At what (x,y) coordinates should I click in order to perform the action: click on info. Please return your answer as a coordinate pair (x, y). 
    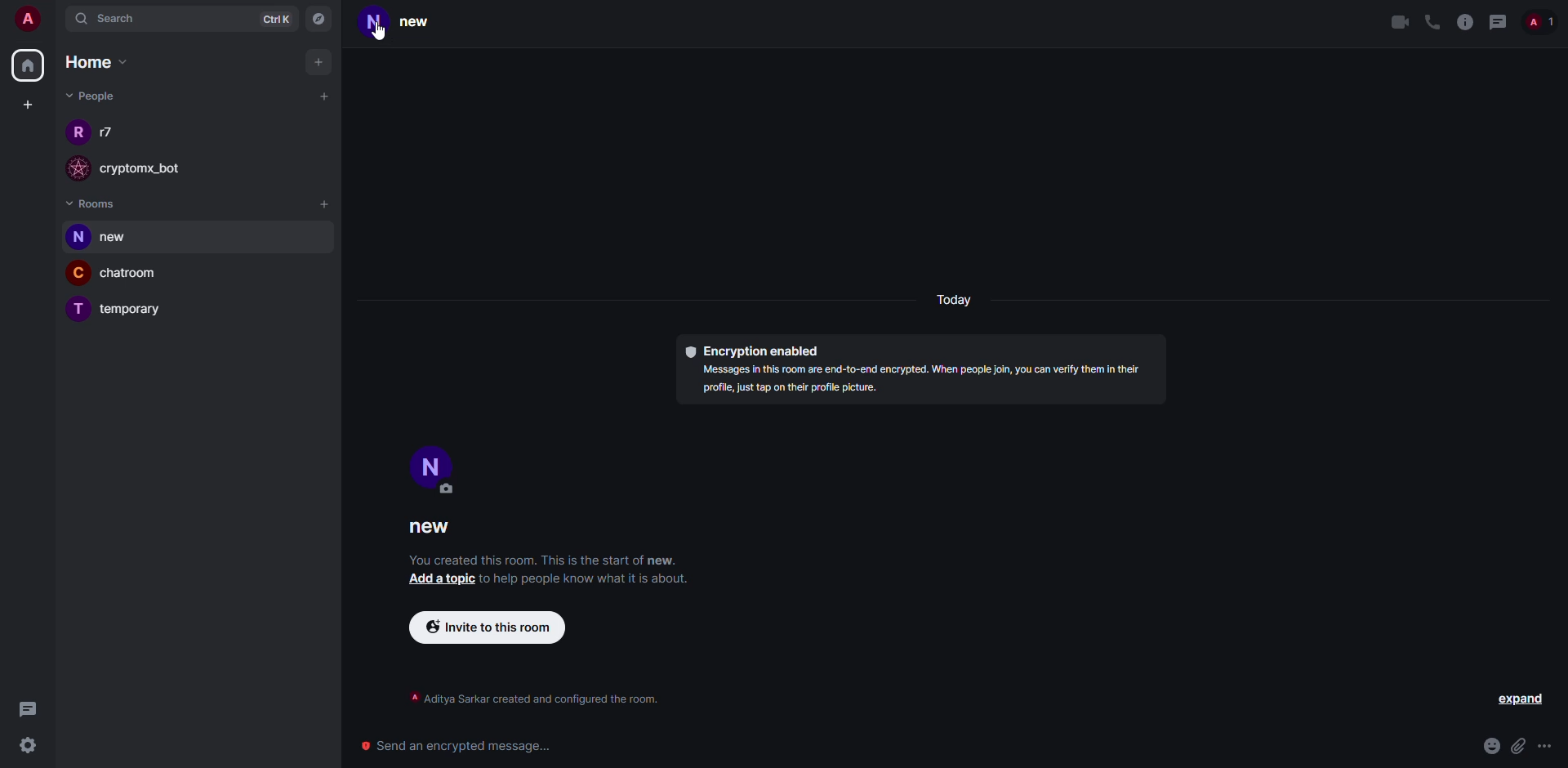
    Looking at the image, I should click on (1463, 21).